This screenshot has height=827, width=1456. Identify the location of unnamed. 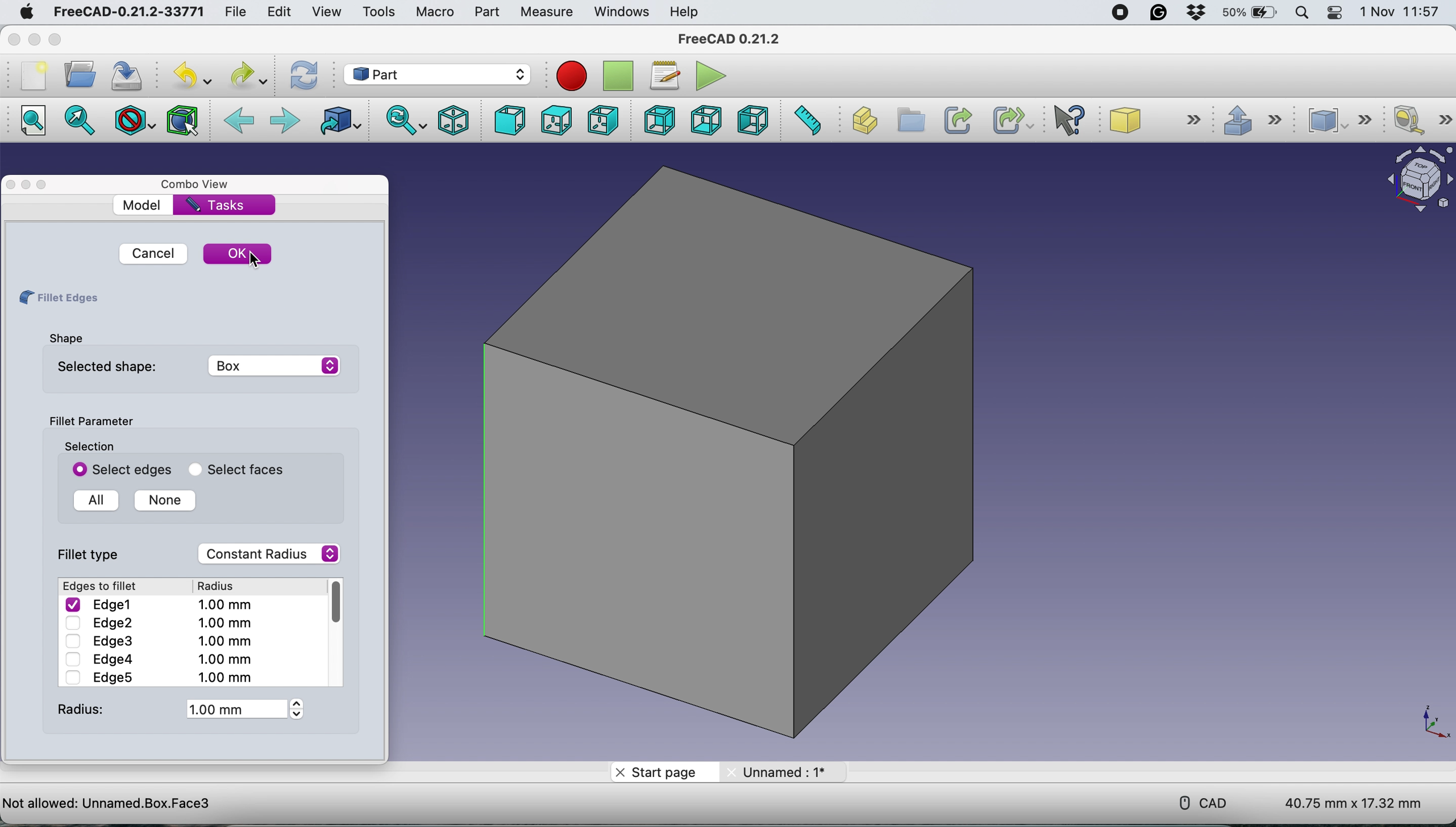
(781, 773).